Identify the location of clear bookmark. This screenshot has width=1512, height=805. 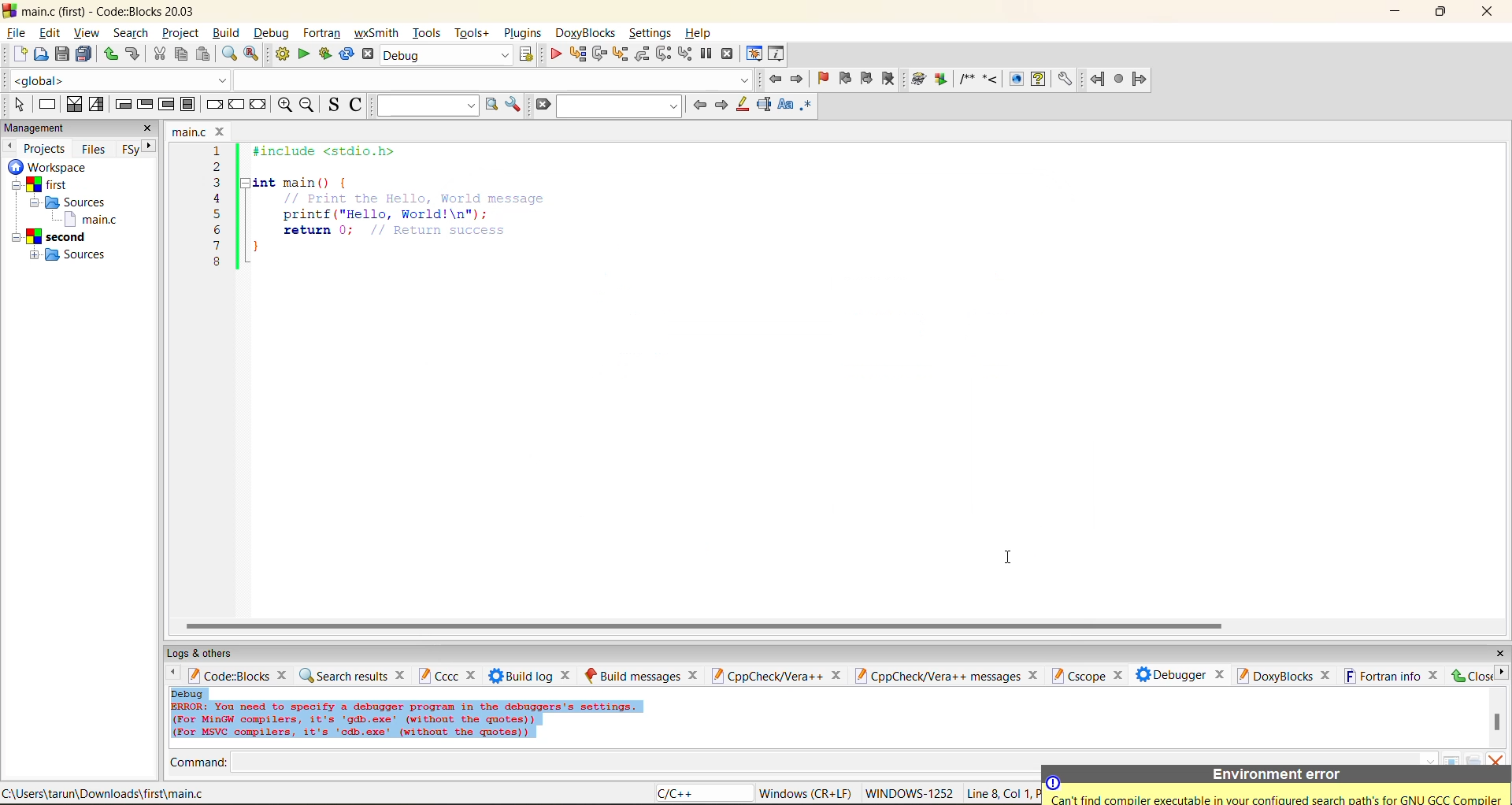
(888, 78).